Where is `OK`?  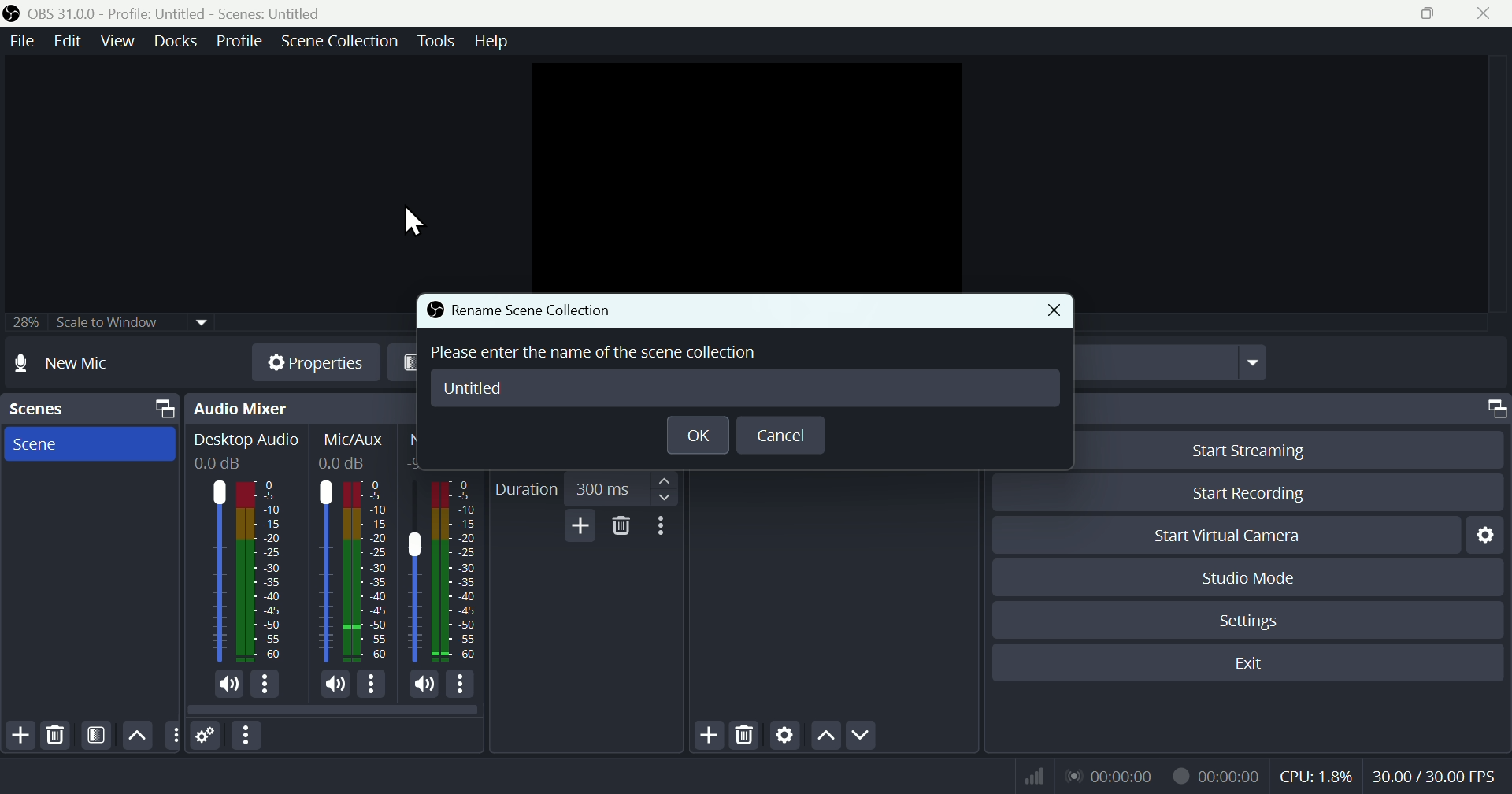 OK is located at coordinates (697, 436).